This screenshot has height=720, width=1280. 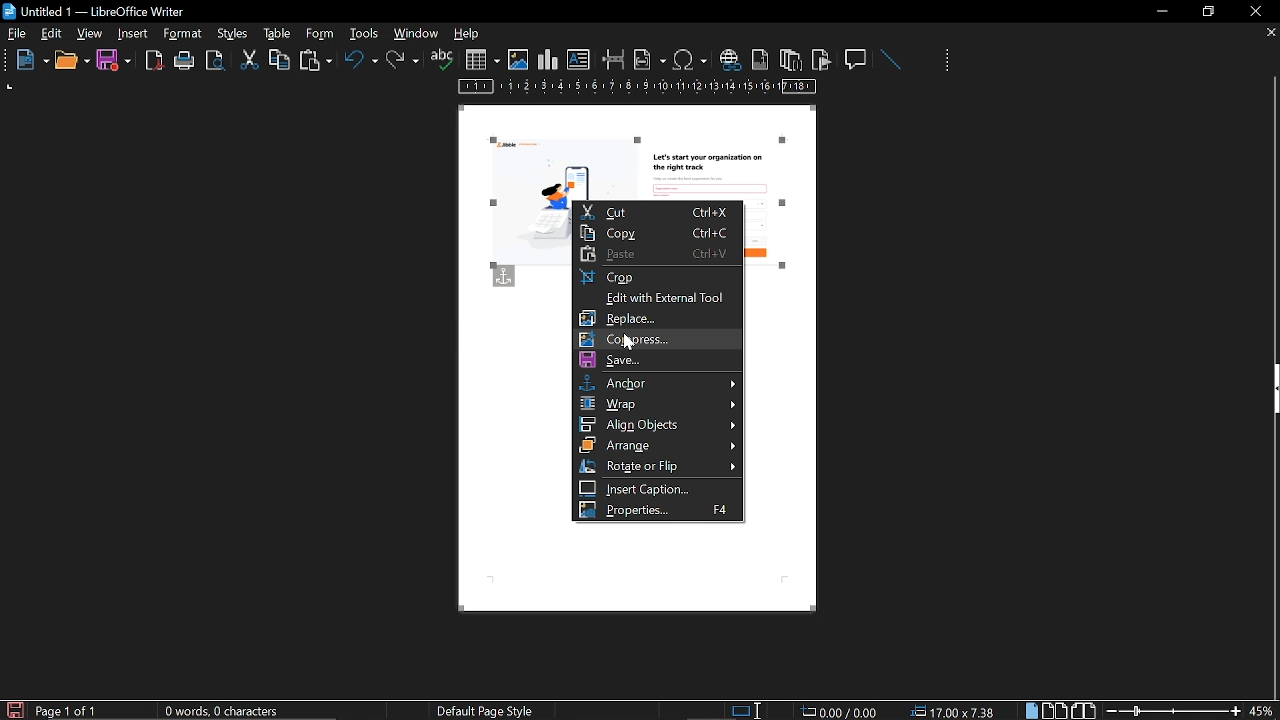 What do you see at coordinates (790, 59) in the screenshot?
I see `insert endnote` at bounding box center [790, 59].